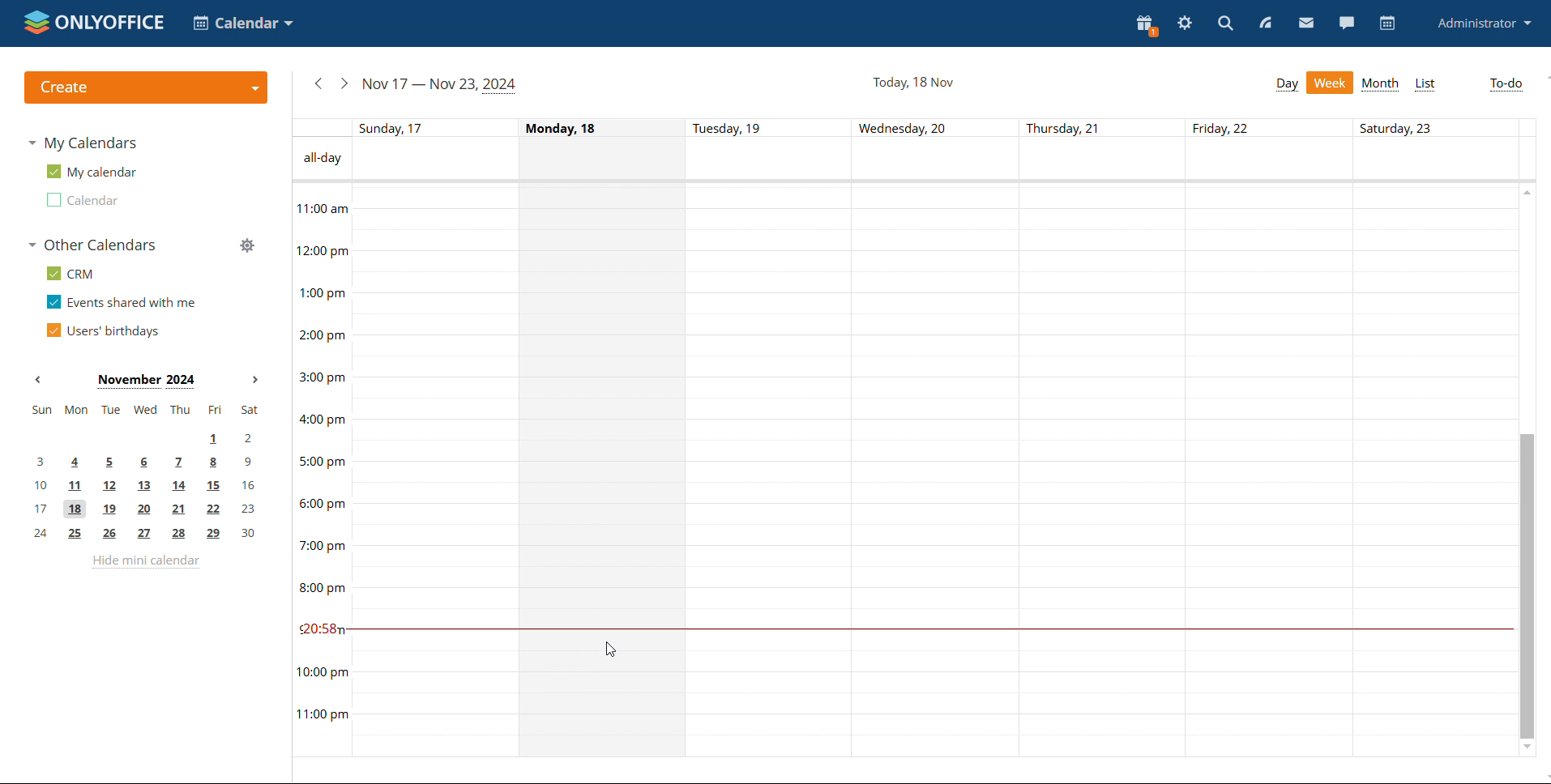 Image resolution: width=1551 pixels, height=784 pixels. Describe the element at coordinates (254, 380) in the screenshot. I see `next month` at that location.